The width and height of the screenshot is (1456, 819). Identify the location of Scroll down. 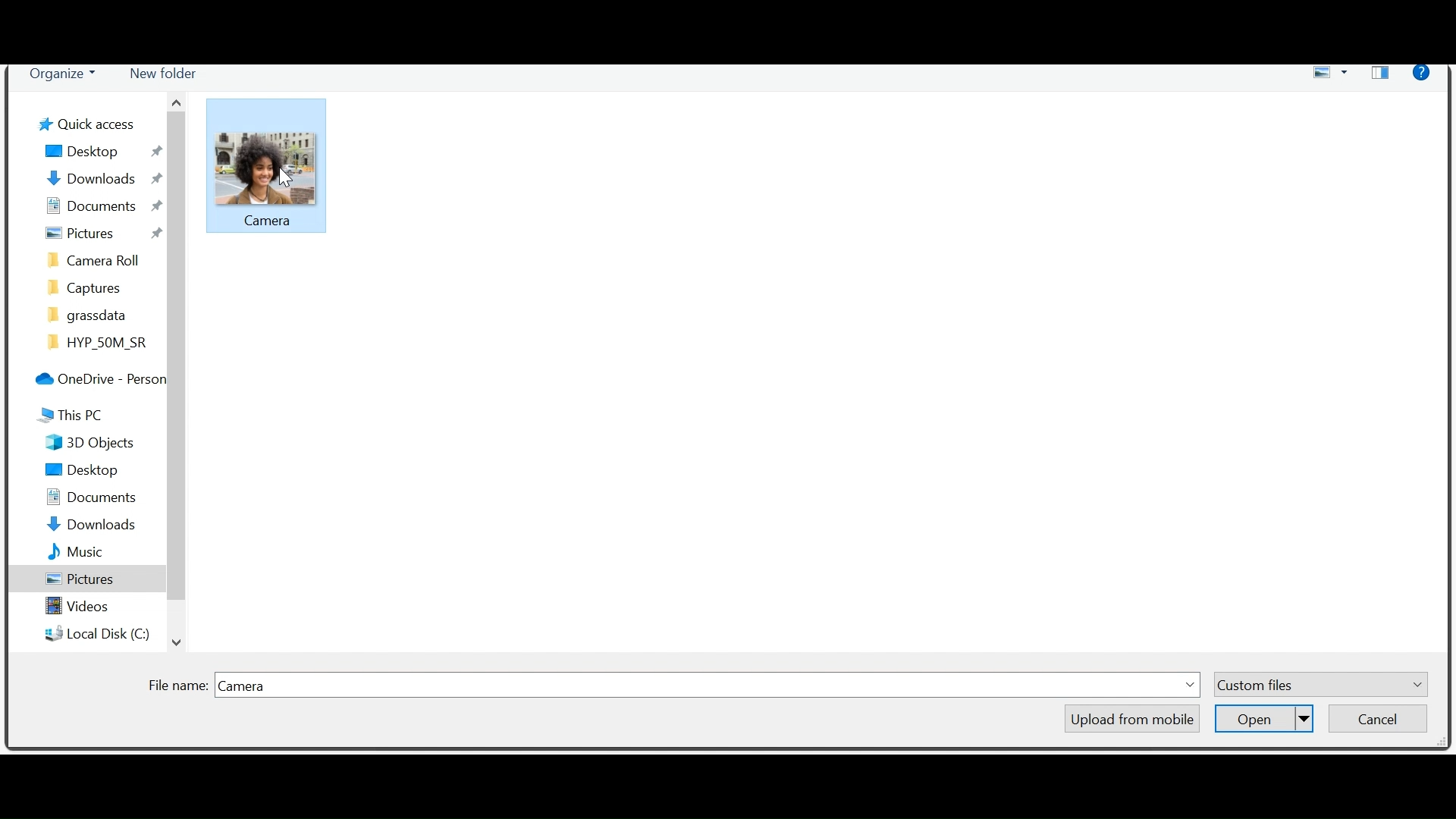
(174, 643).